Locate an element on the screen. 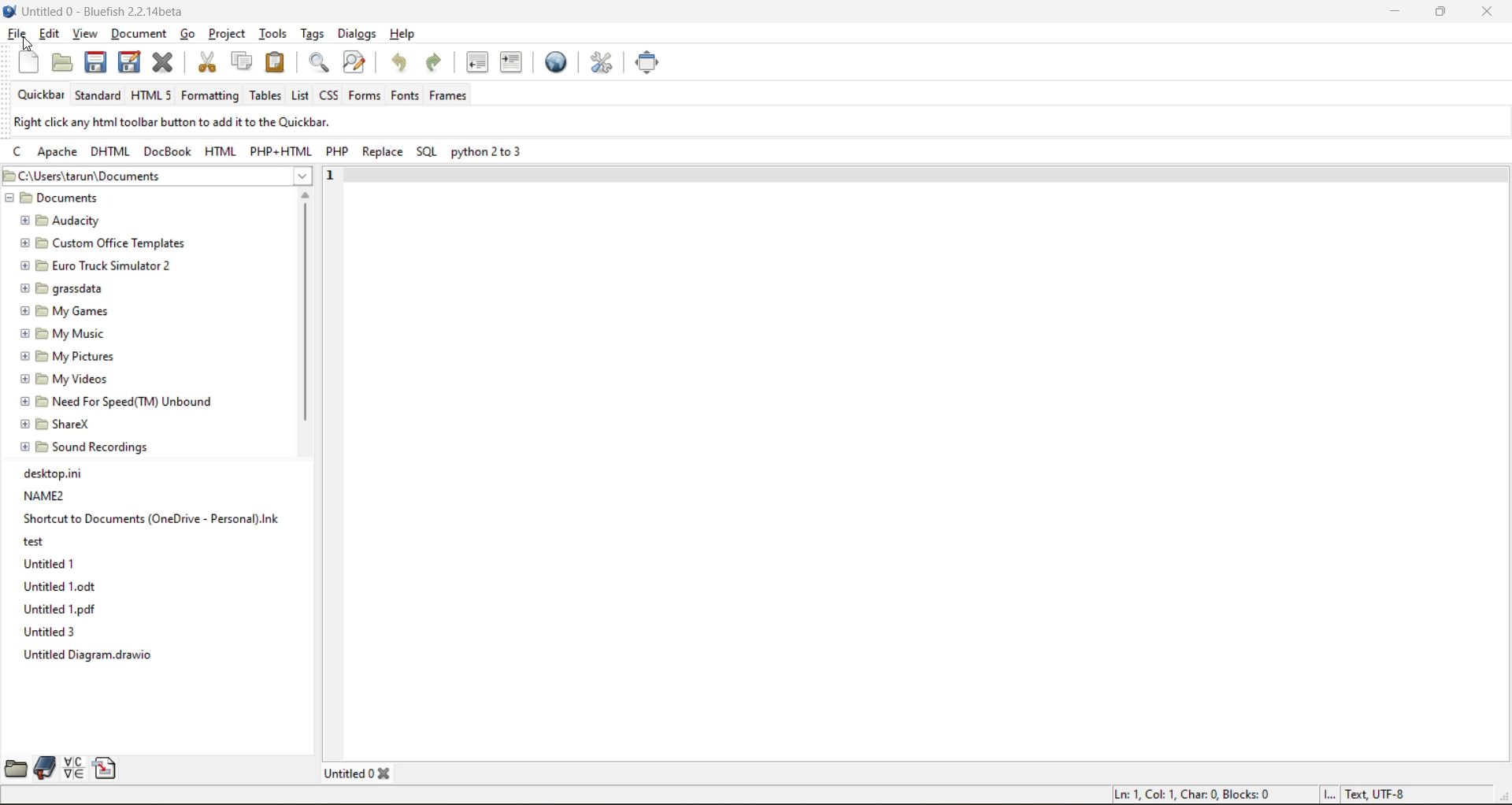 The height and width of the screenshot is (805, 1512). Euro Truck Simulator 2 is located at coordinates (99, 267).